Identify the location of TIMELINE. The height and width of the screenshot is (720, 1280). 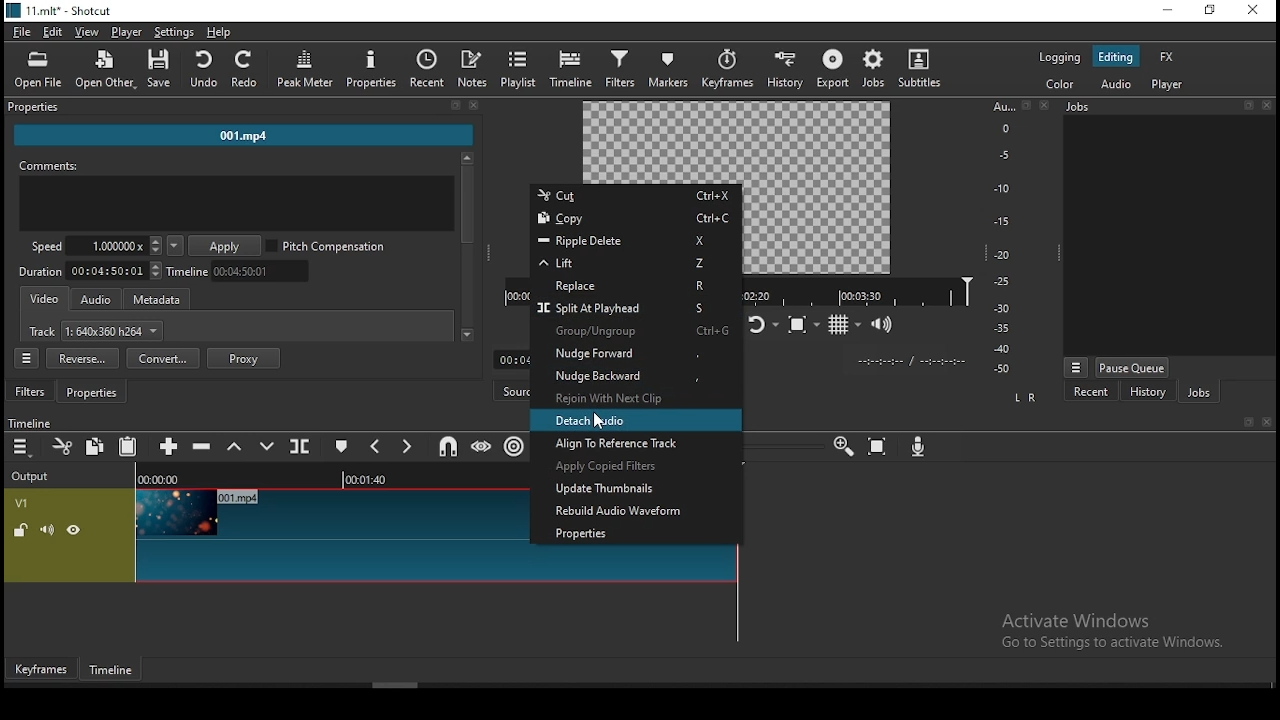
(333, 476).